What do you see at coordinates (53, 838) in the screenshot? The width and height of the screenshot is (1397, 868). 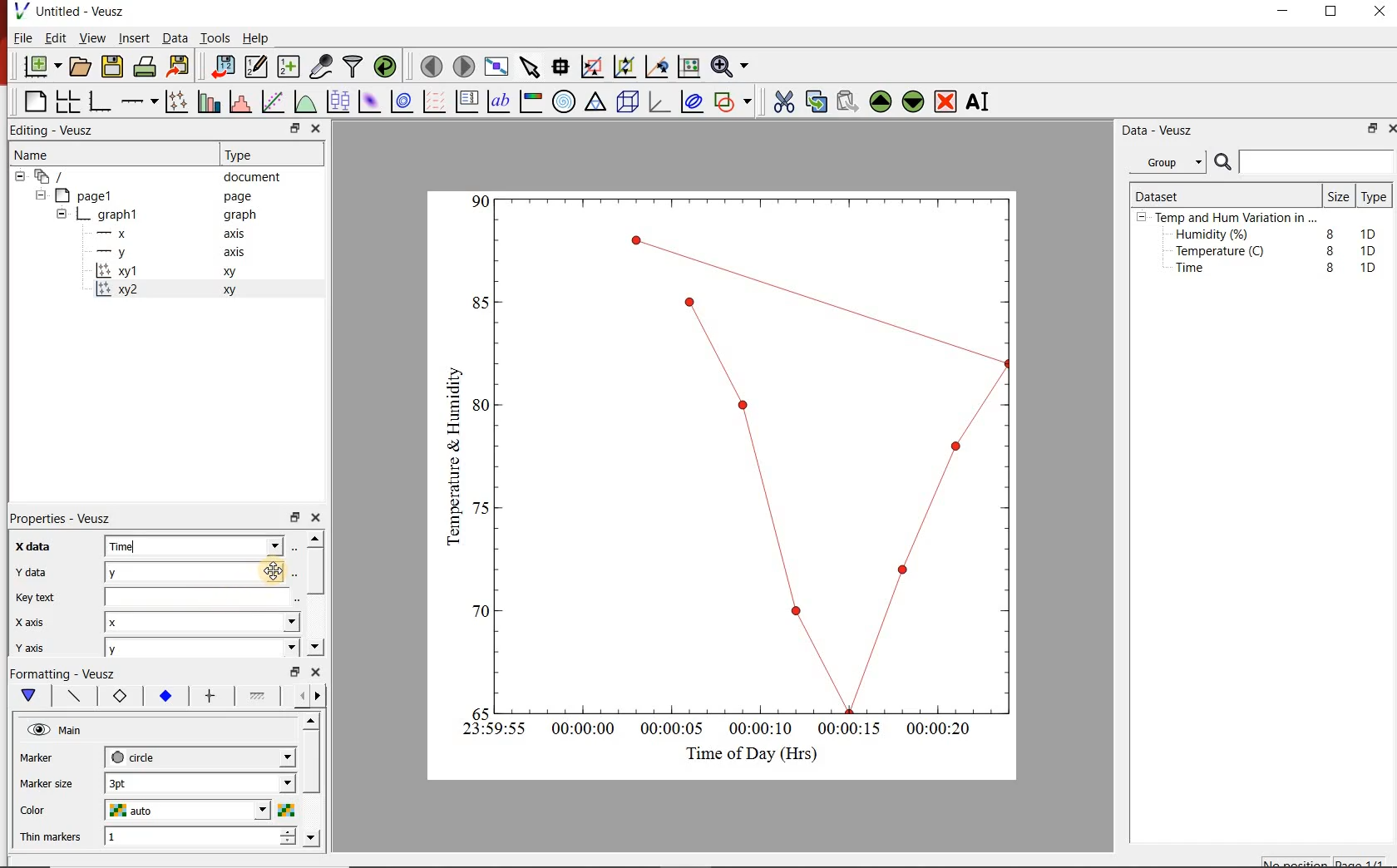 I see `Thin Markers` at bounding box center [53, 838].